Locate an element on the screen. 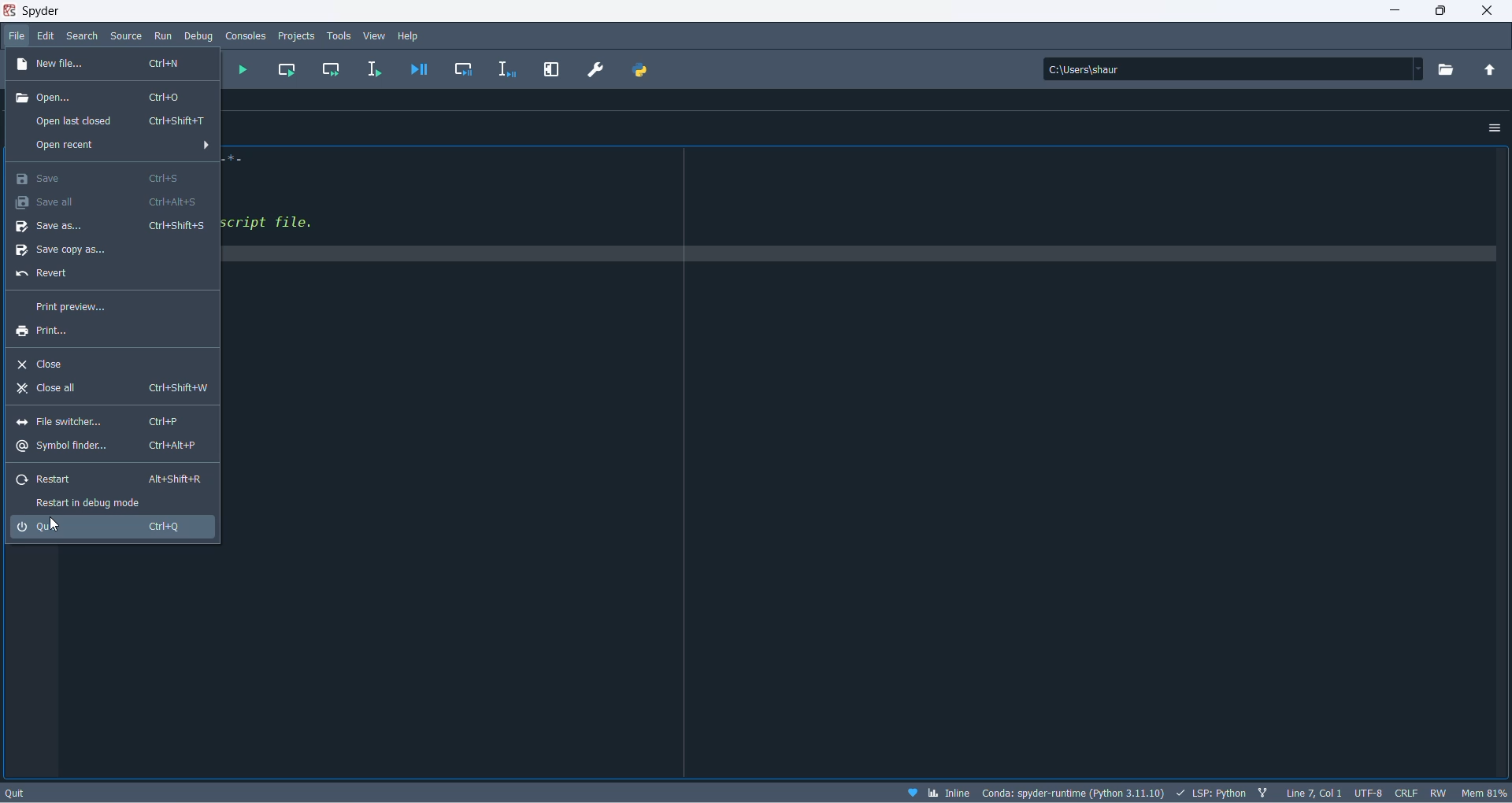 This screenshot has height=803, width=1512. edit is located at coordinates (46, 37).